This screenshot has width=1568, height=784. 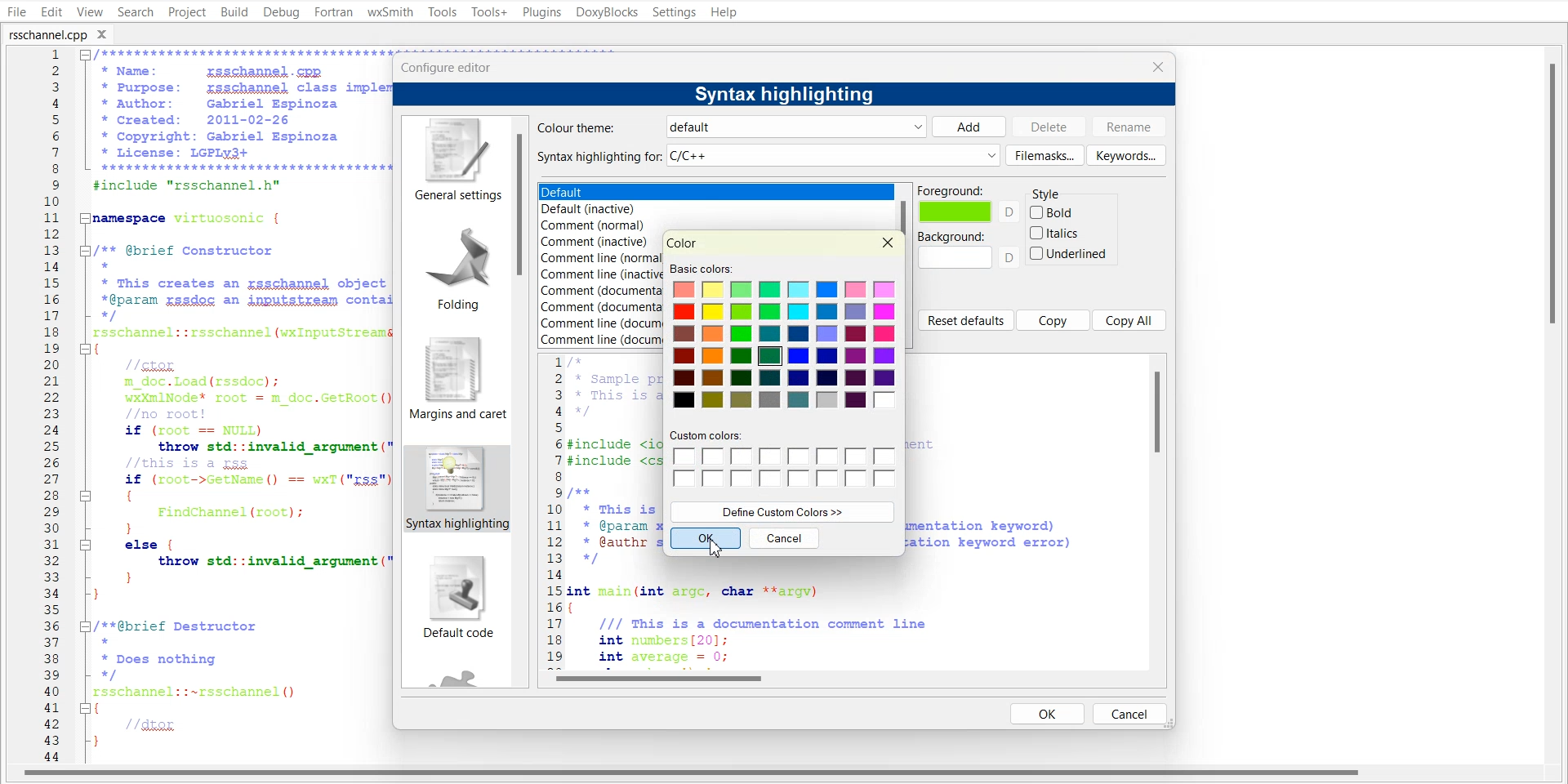 I want to click on Copy, so click(x=1053, y=320).